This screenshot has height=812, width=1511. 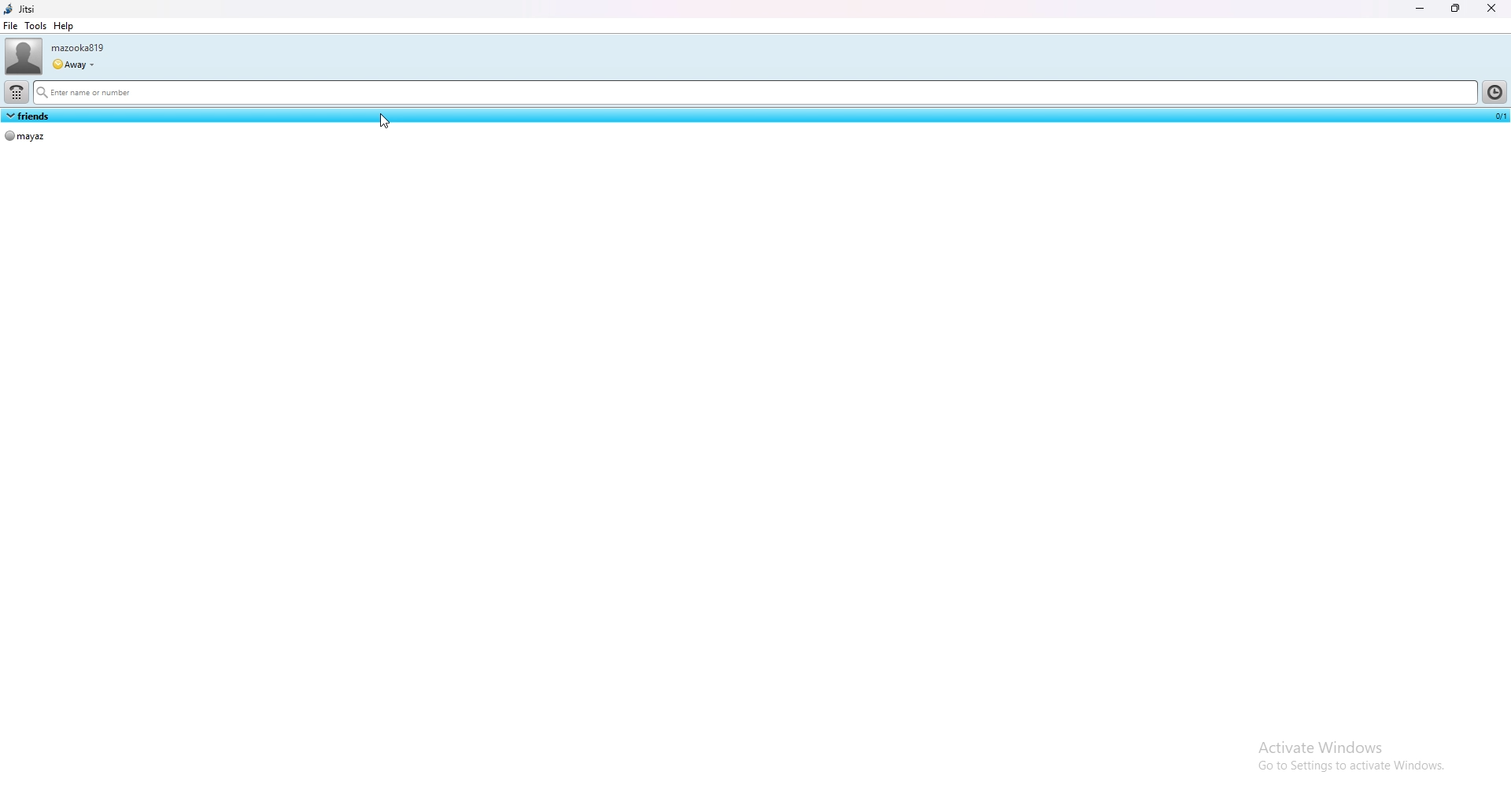 What do you see at coordinates (28, 115) in the screenshot?
I see `contact list` at bounding box center [28, 115].